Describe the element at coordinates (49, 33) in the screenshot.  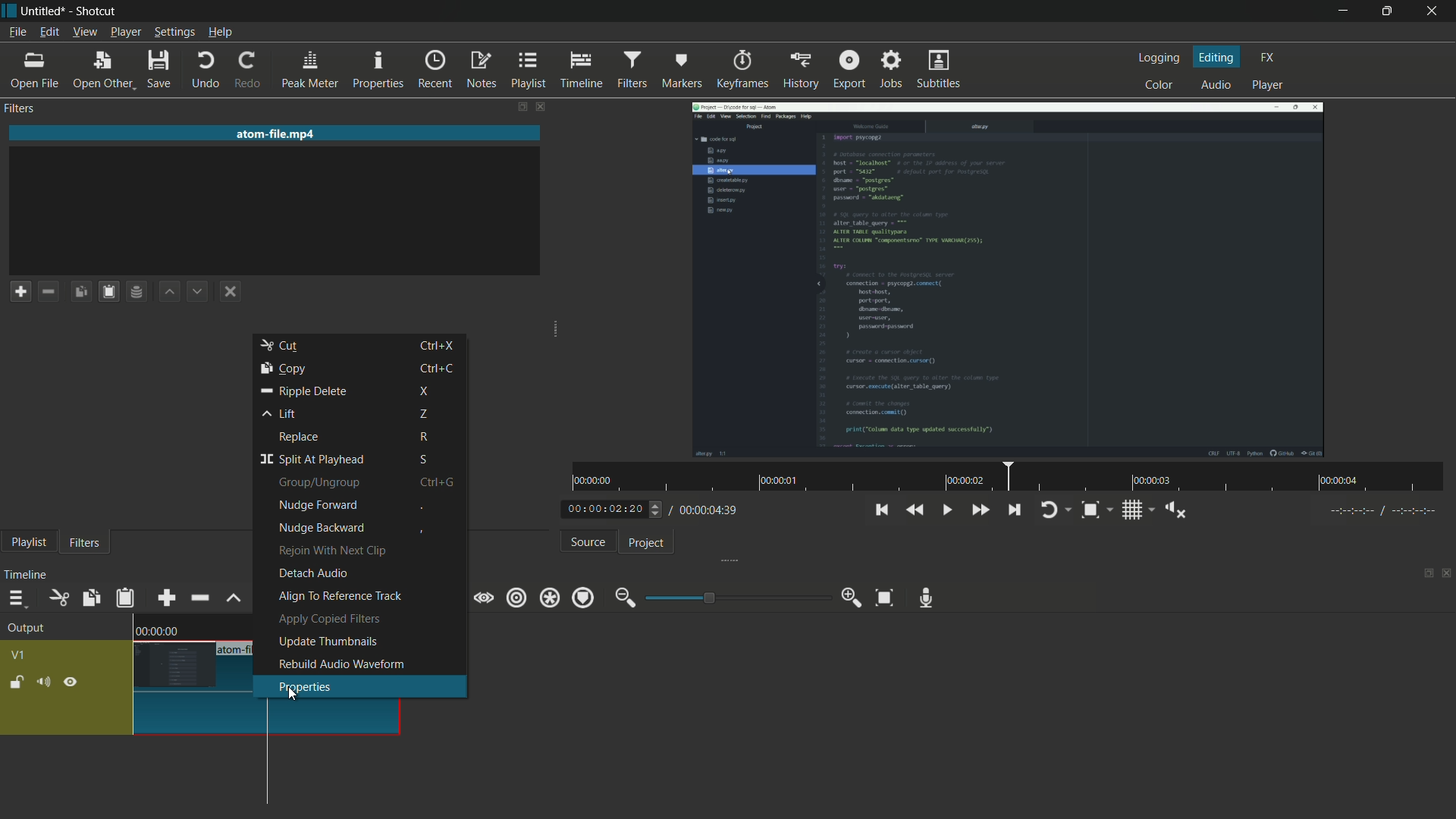
I see `edit` at that location.